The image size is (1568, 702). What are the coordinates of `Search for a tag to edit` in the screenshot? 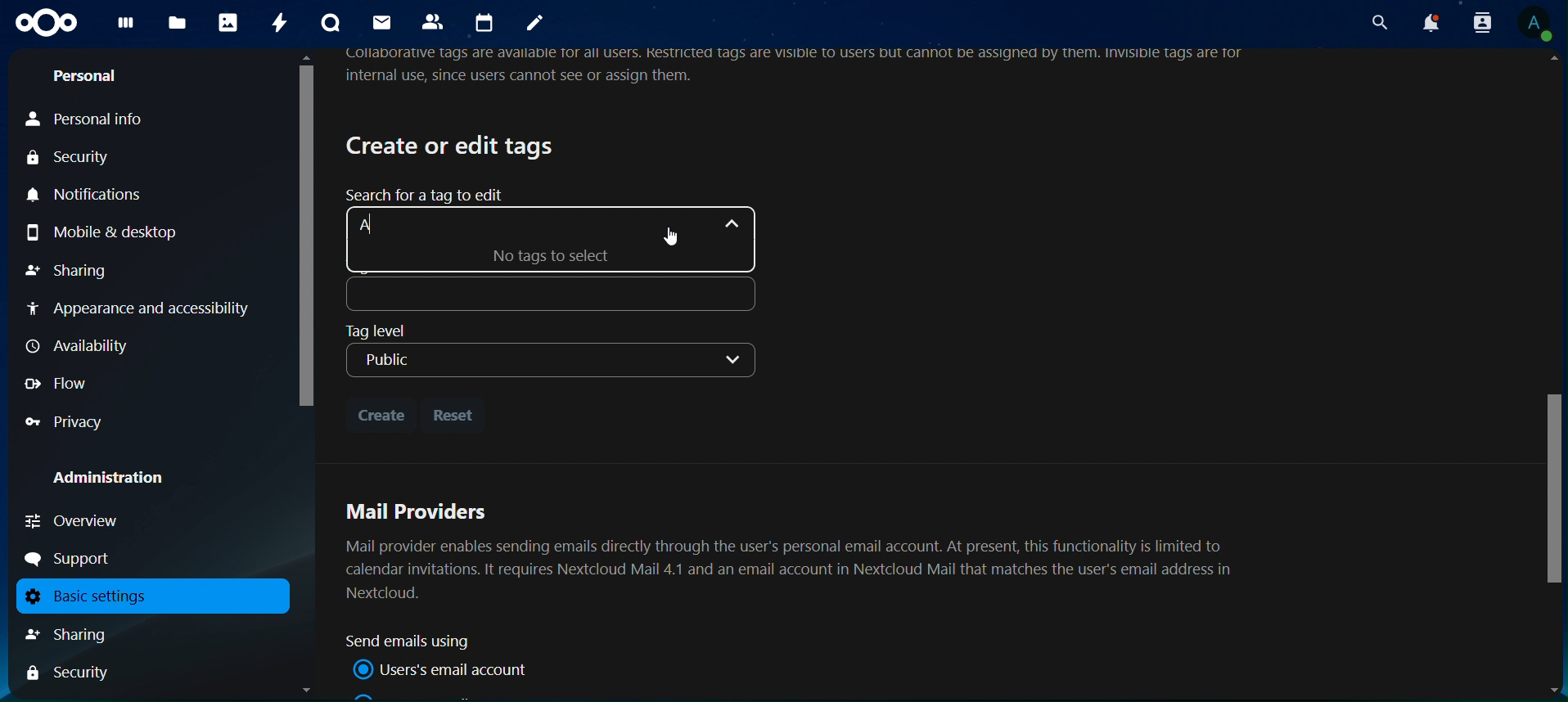 It's located at (421, 197).